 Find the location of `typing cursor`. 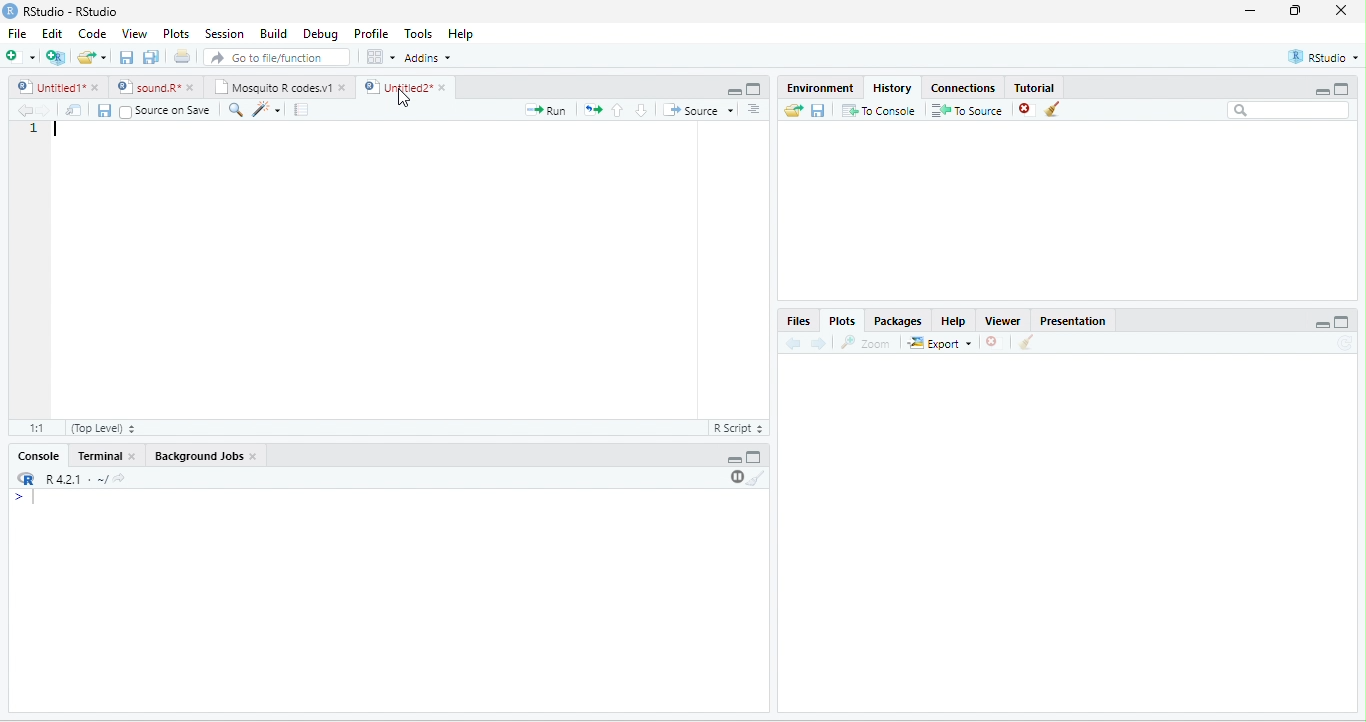

typing cursor is located at coordinates (57, 129).